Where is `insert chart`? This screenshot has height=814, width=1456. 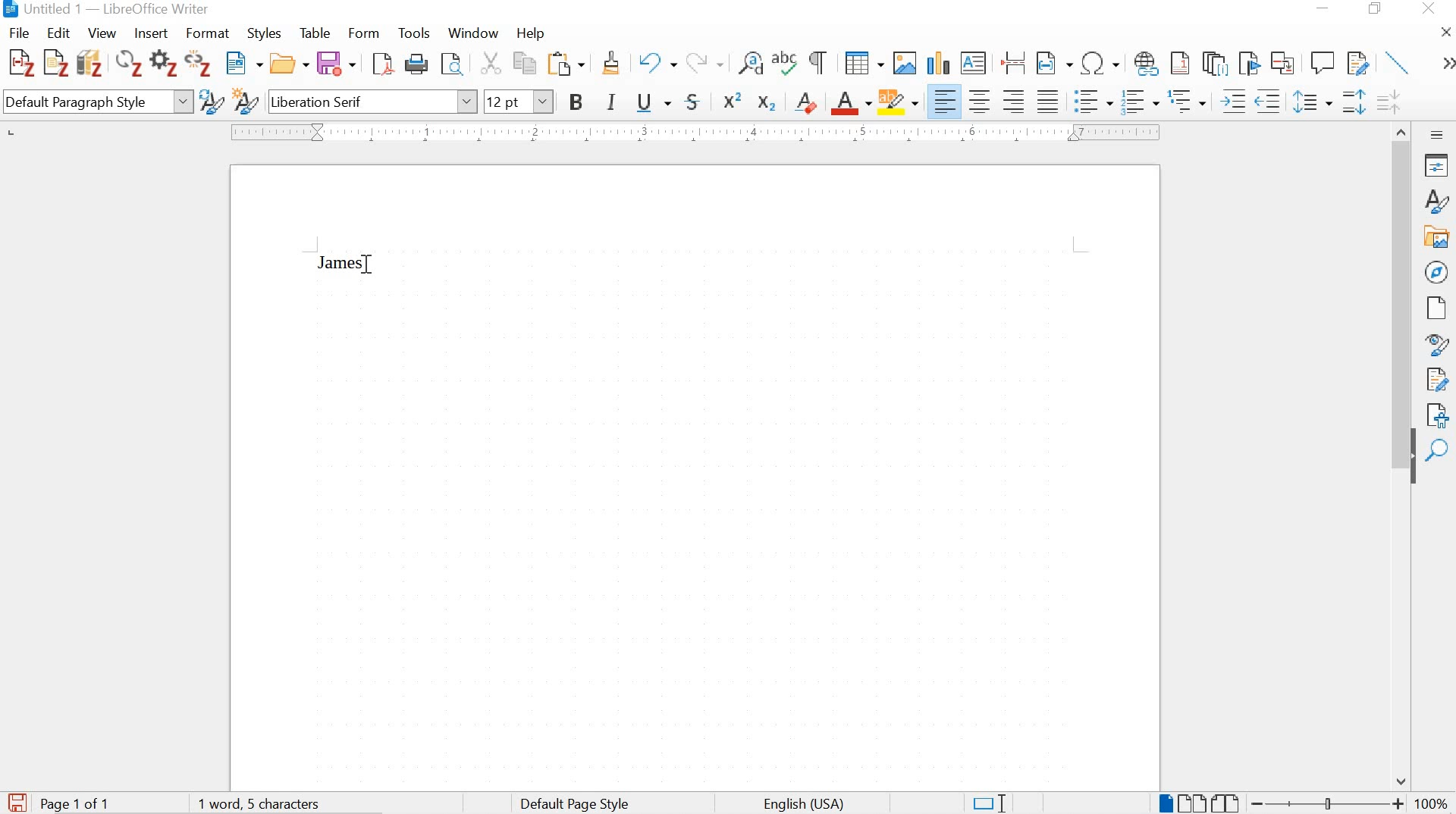
insert chart is located at coordinates (937, 64).